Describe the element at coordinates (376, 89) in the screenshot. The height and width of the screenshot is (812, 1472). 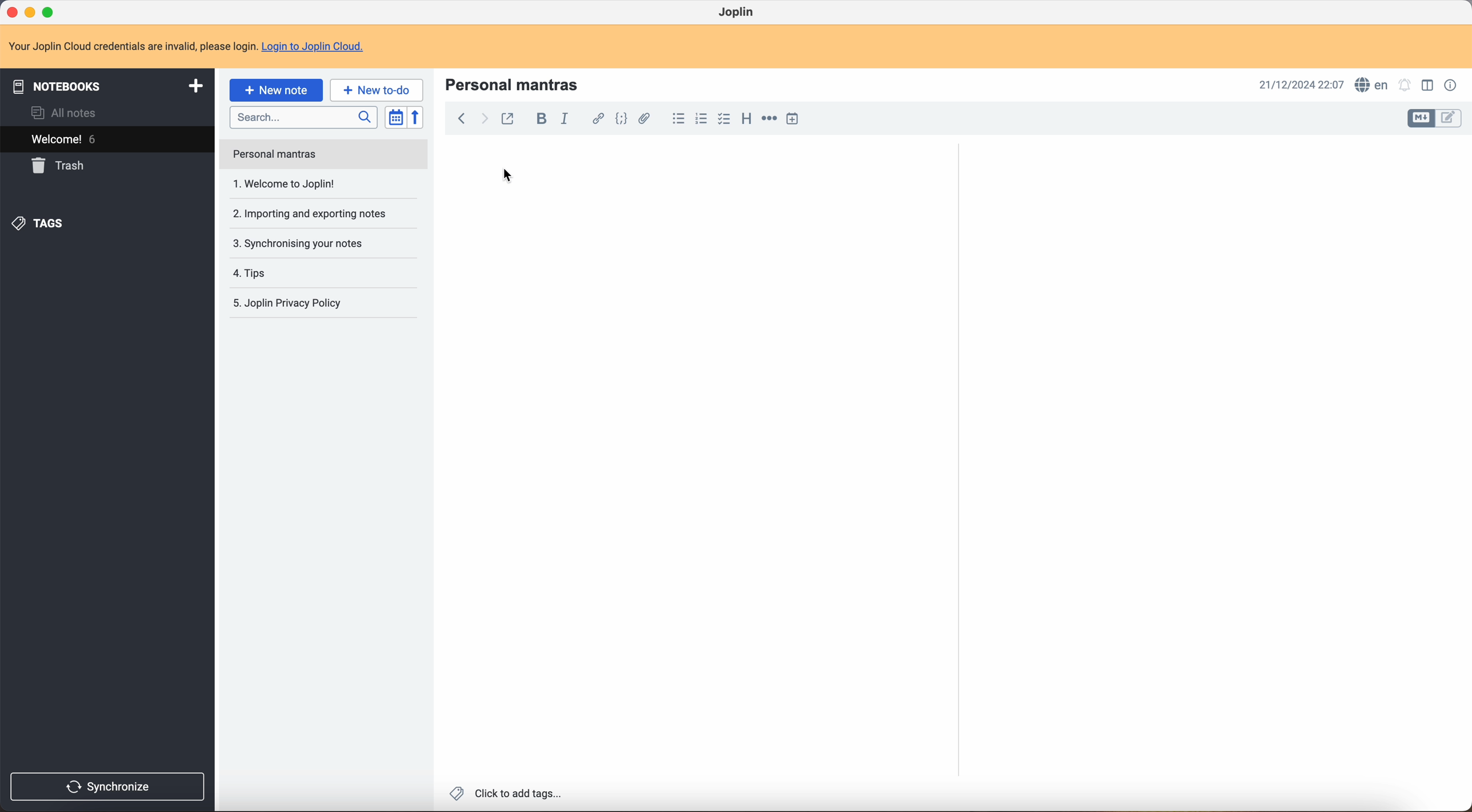
I see `new to-do` at that location.